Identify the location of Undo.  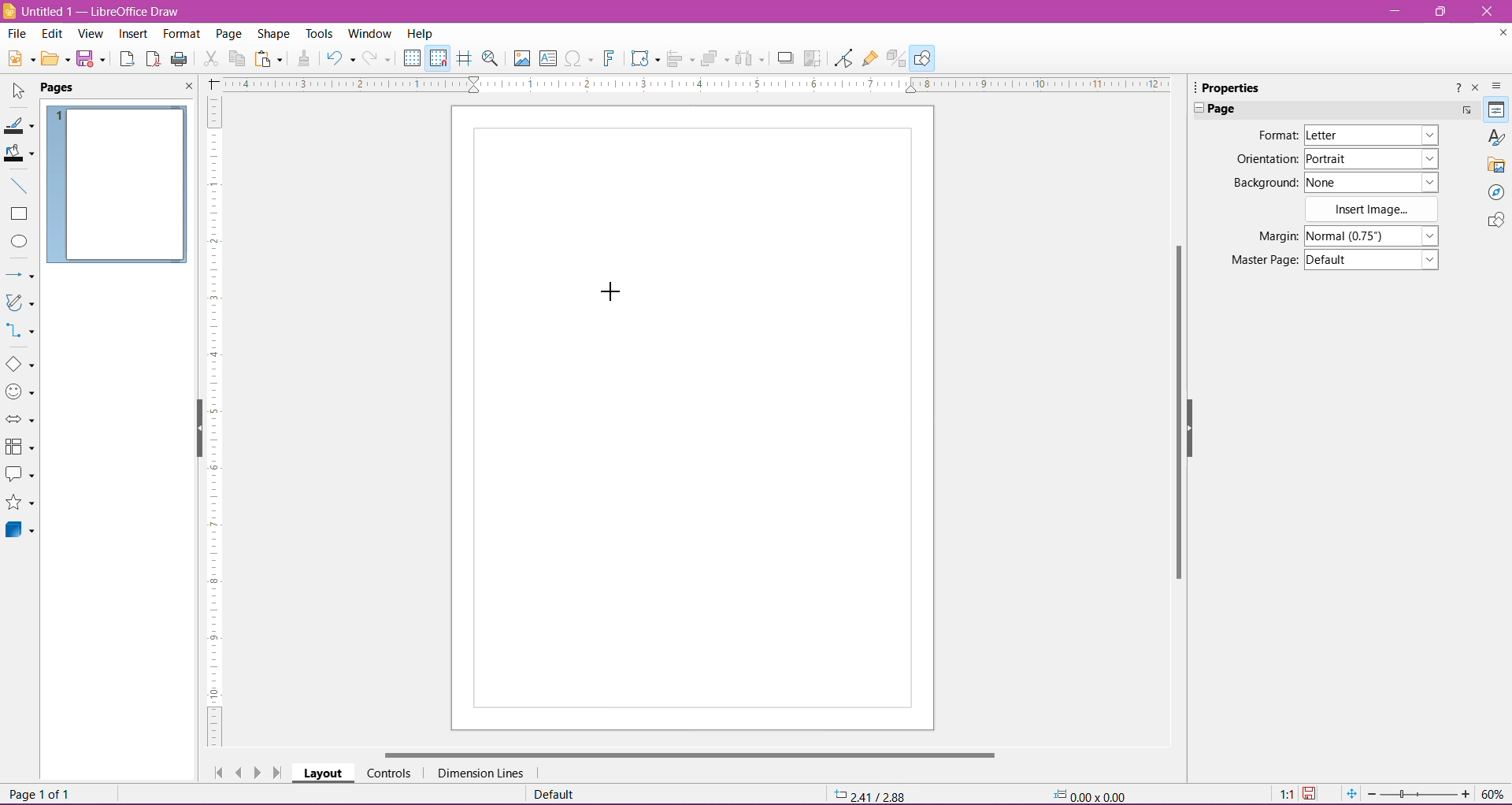
(340, 60).